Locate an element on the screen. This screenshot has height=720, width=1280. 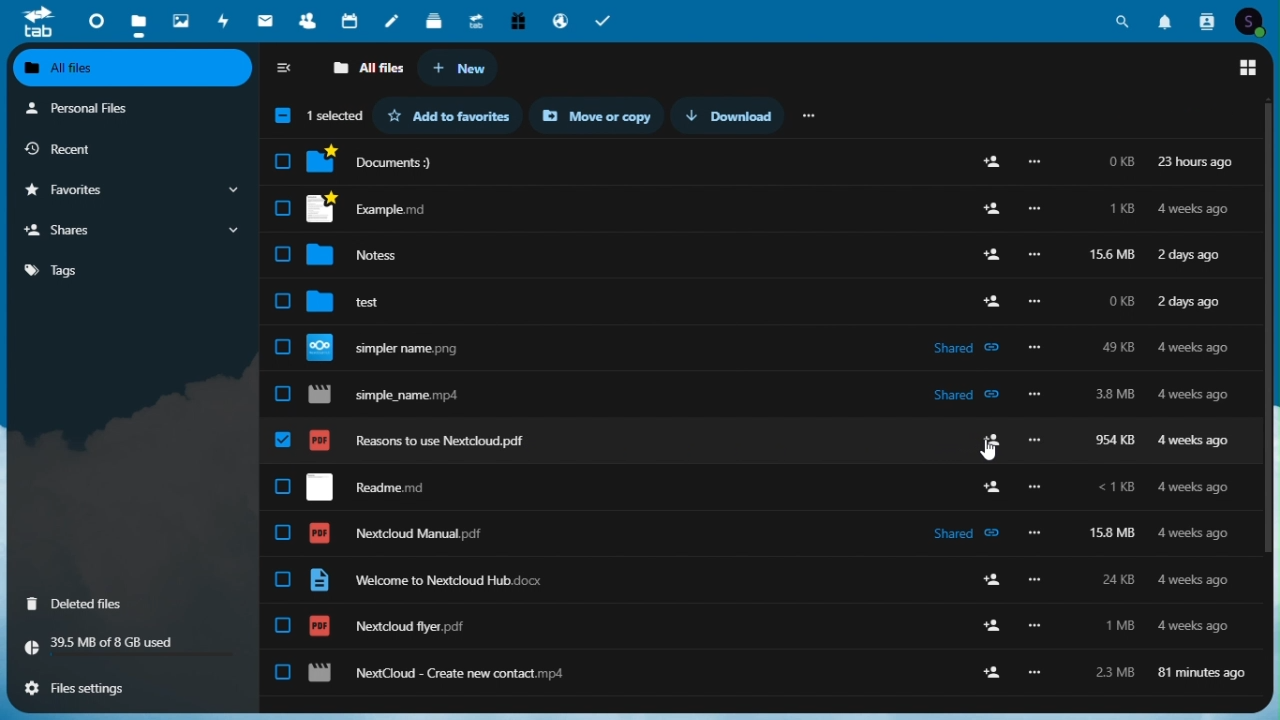
4 weeks ago is located at coordinates (1196, 210).